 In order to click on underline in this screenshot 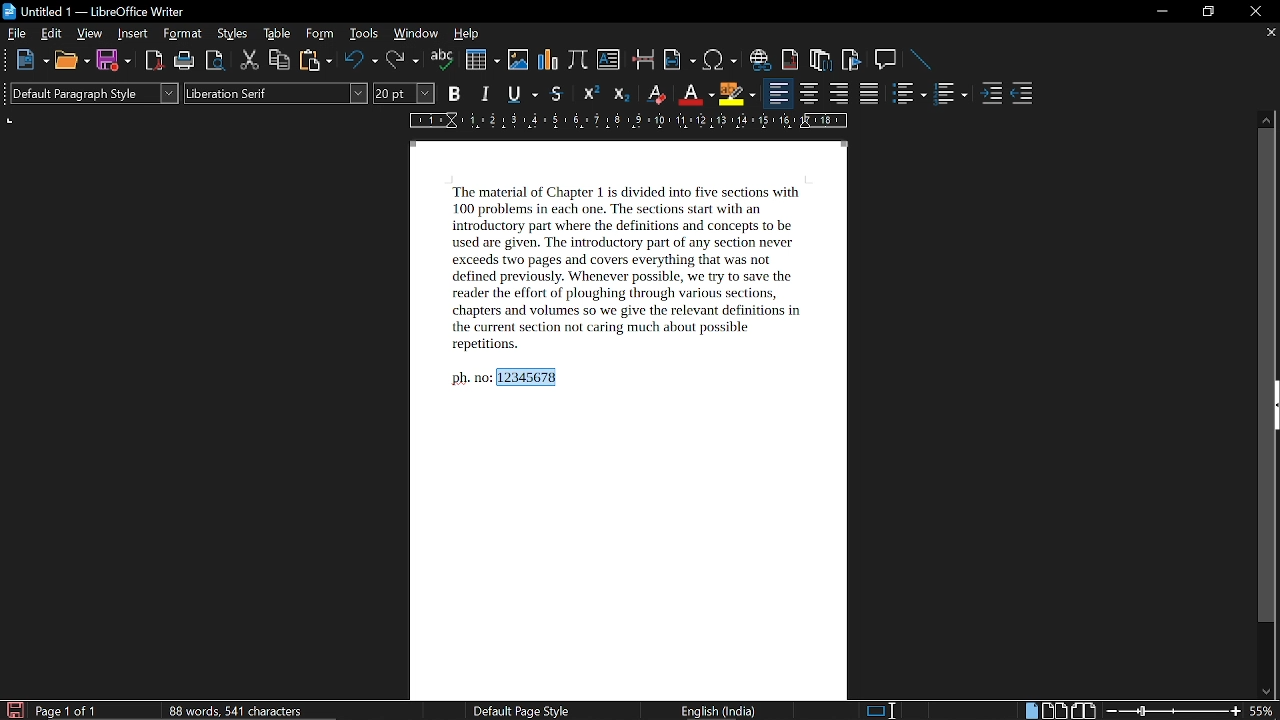, I will do `click(521, 93)`.